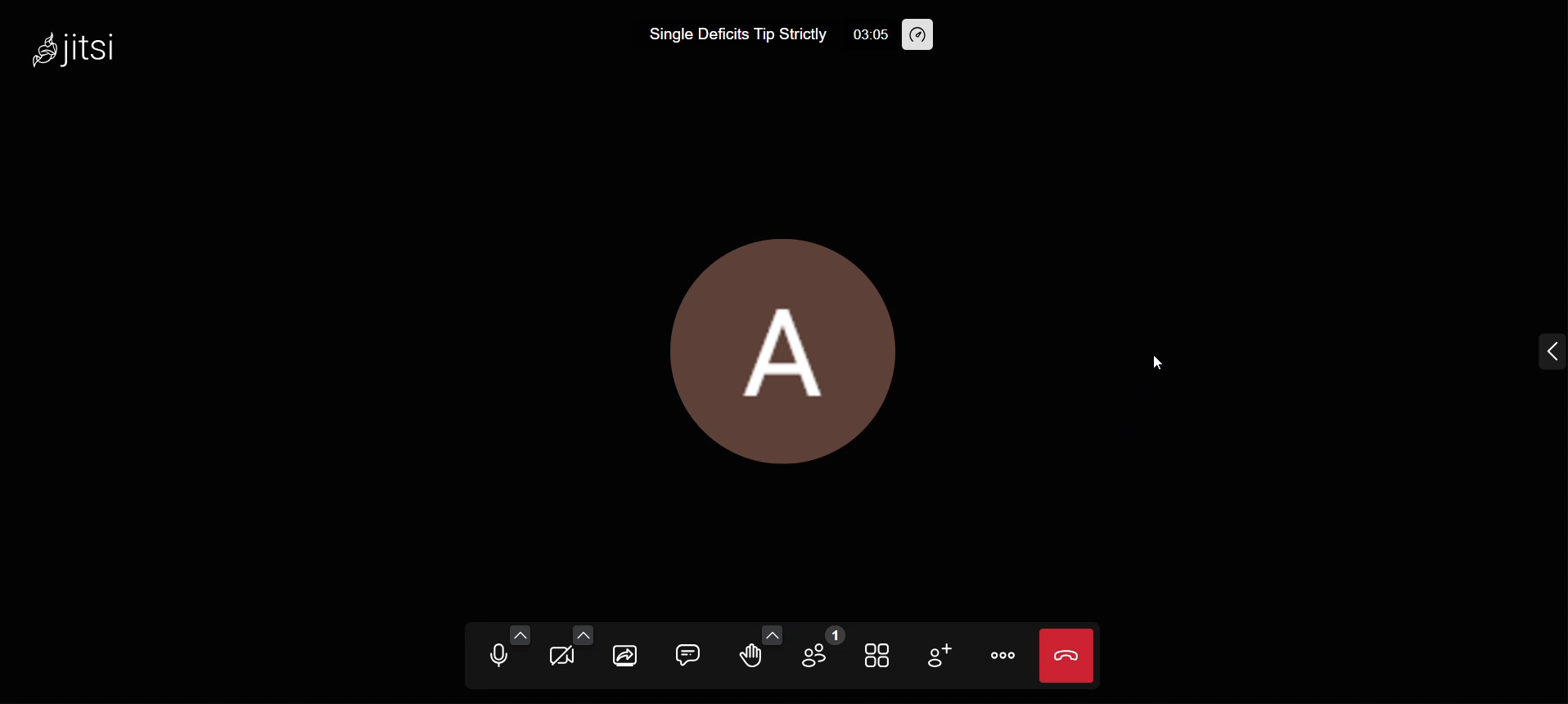 The height and width of the screenshot is (704, 1568). What do you see at coordinates (561, 658) in the screenshot?
I see `start camera` at bounding box center [561, 658].